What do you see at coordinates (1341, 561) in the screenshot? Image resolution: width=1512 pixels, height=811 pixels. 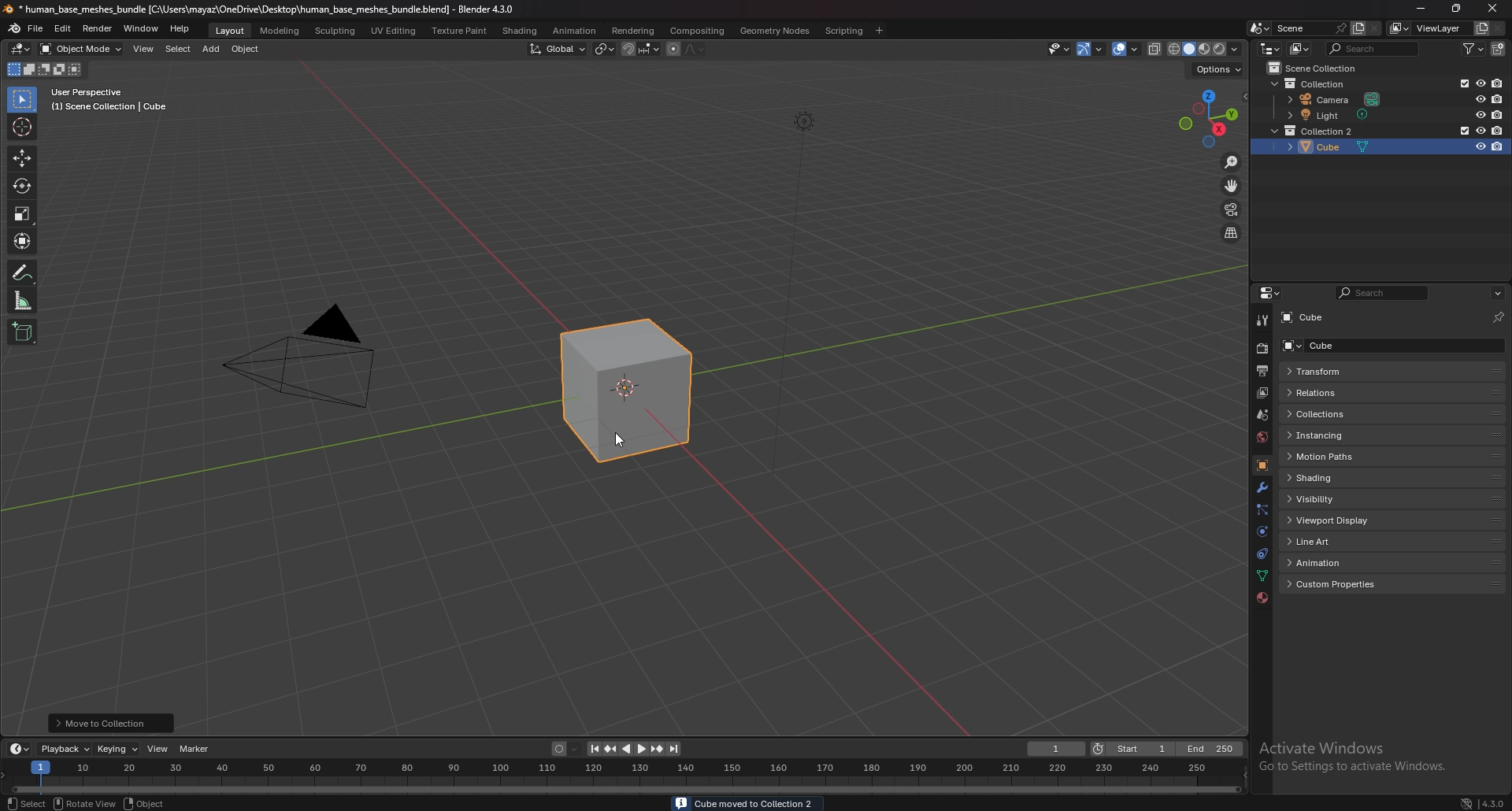 I see `animation` at bounding box center [1341, 561].